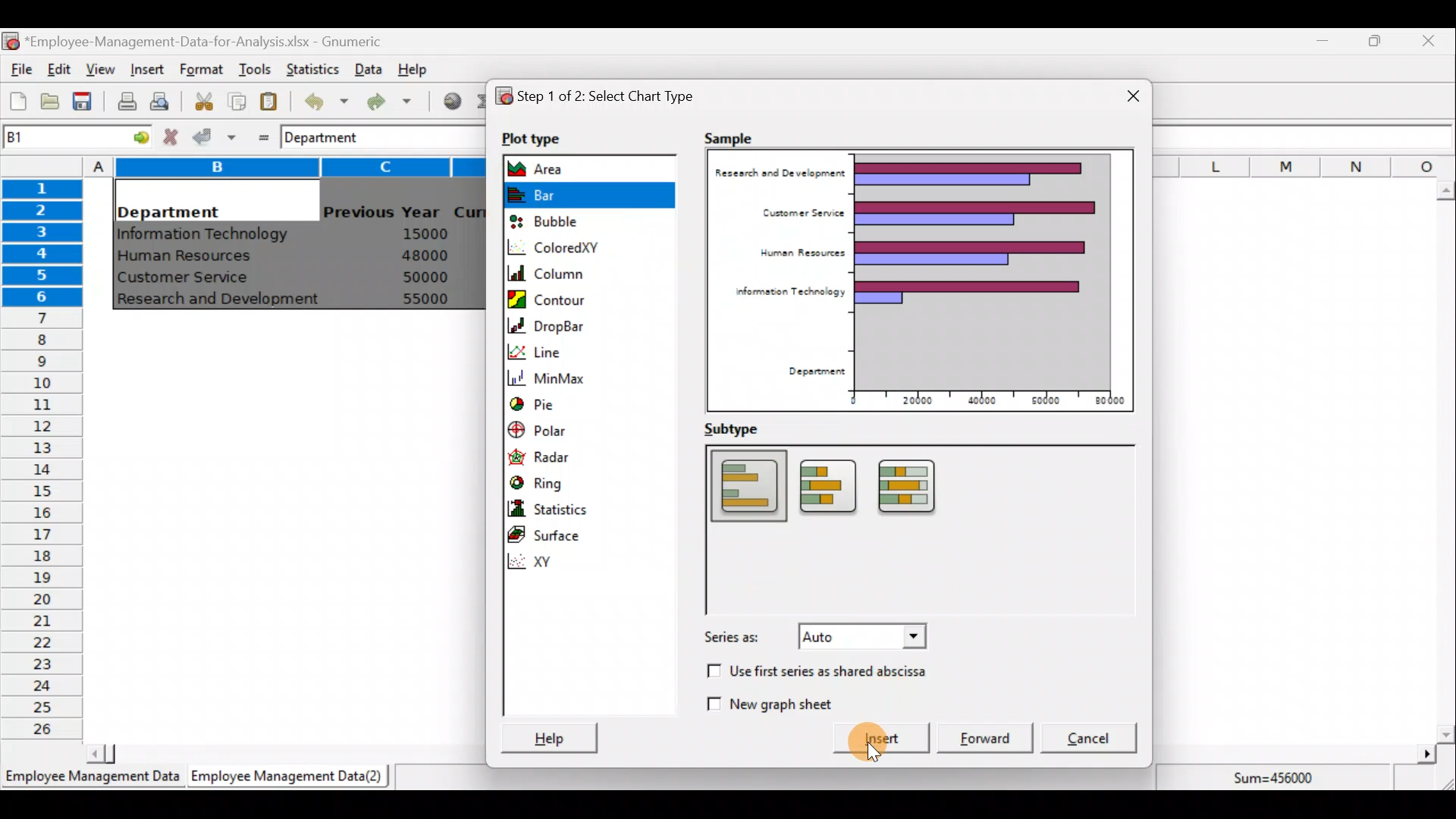 Image resolution: width=1456 pixels, height=819 pixels. What do you see at coordinates (1282, 780) in the screenshot?
I see `Sum=456000` at bounding box center [1282, 780].